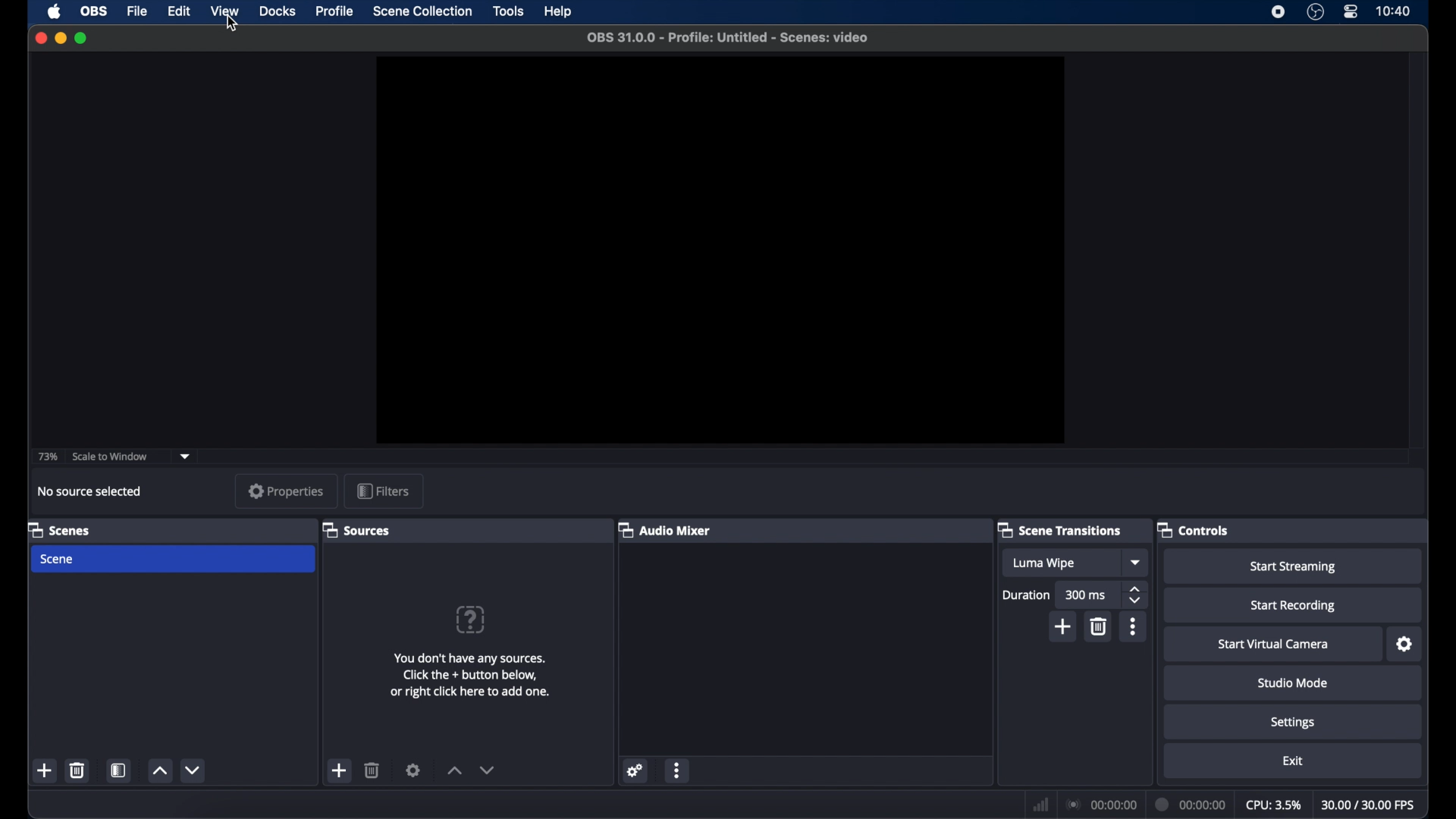 This screenshot has width=1456, height=819. Describe the element at coordinates (178, 11) in the screenshot. I see `edit` at that location.